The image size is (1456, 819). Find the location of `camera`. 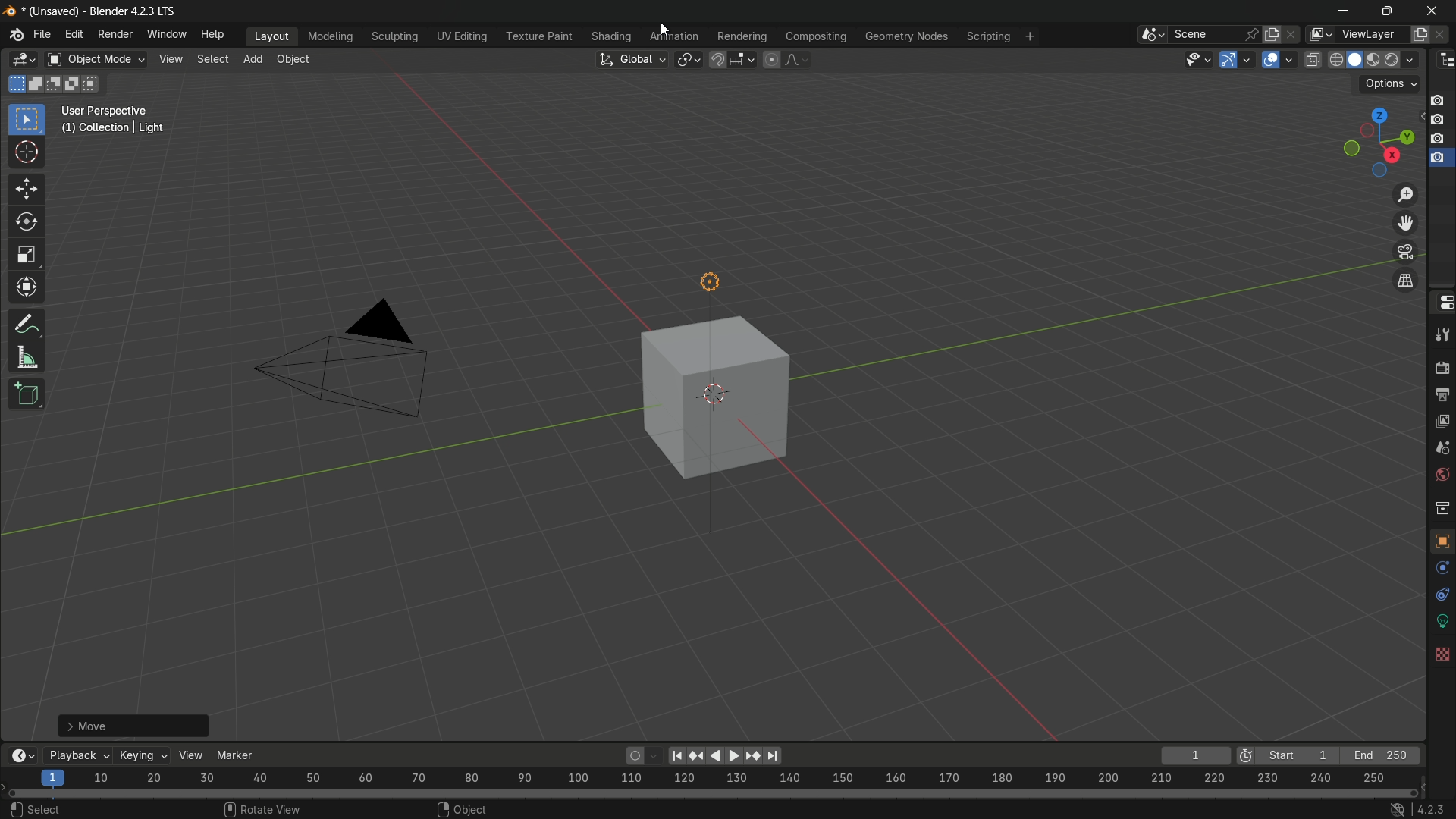

camera is located at coordinates (337, 369).